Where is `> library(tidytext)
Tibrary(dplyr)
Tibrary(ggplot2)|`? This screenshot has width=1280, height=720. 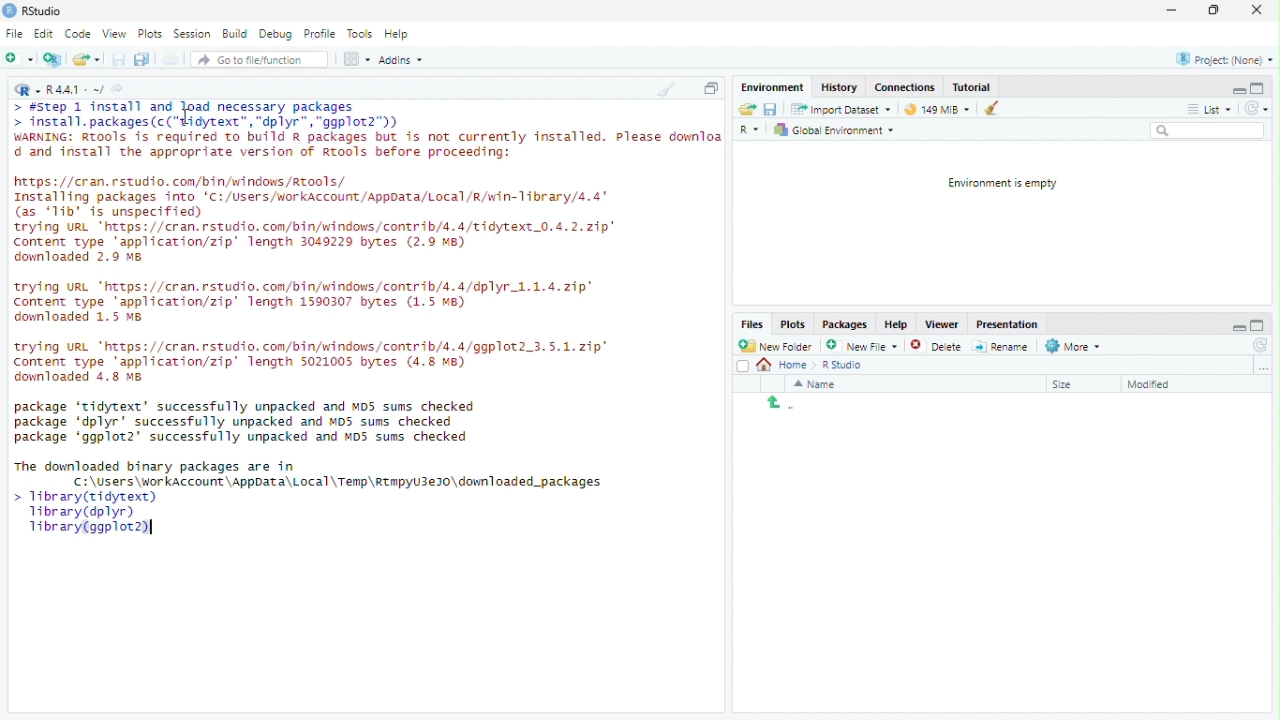
> library(tidytext)
Tibrary(dplyr)
Tibrary(ggplot2)| is located at coordinates (85, 517).